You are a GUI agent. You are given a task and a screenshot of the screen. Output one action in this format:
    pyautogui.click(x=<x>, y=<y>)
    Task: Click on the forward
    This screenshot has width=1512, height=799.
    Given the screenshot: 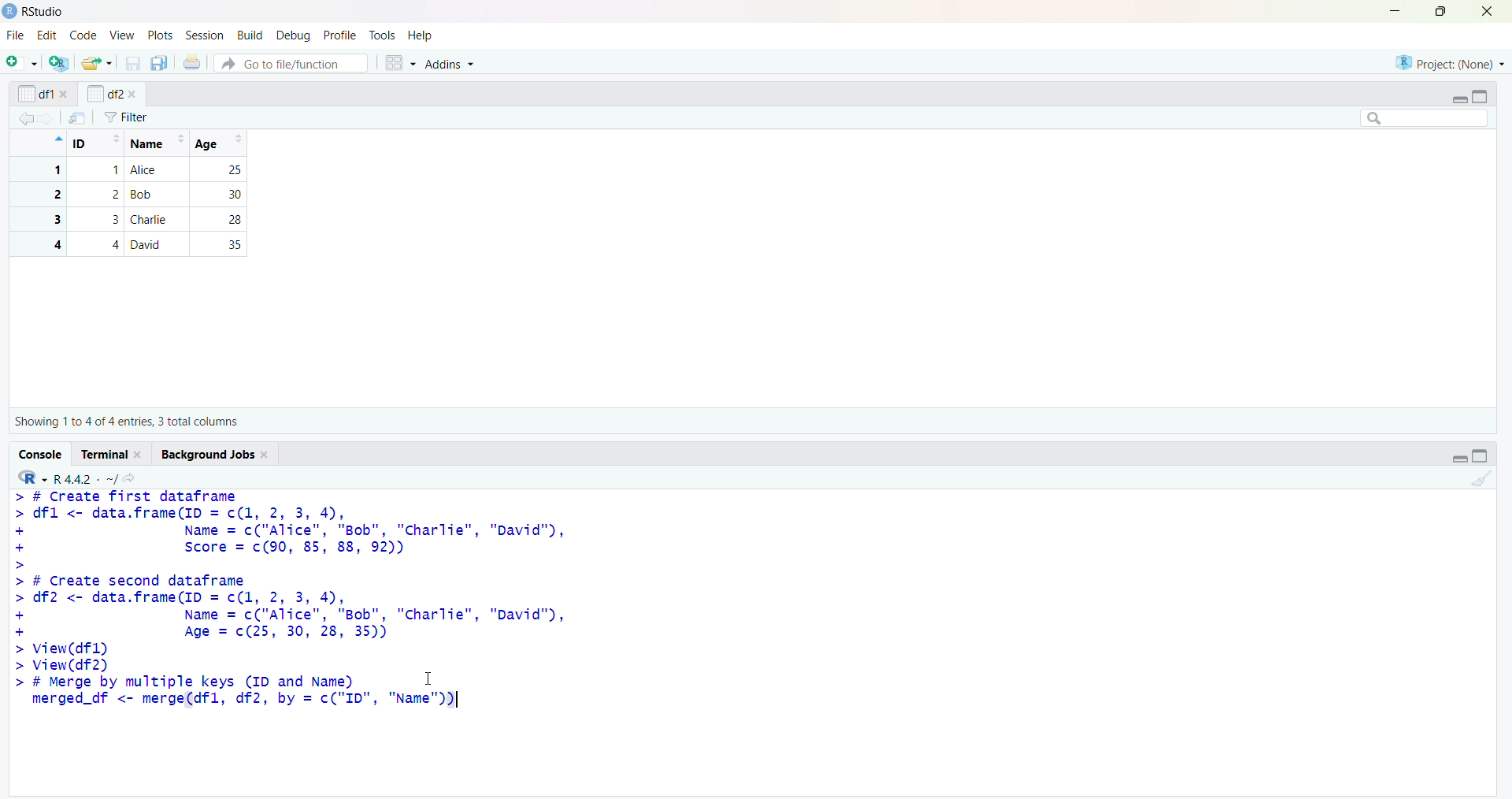 What is the action you would take?
    pyautogui.click(x=47, y=119)
    